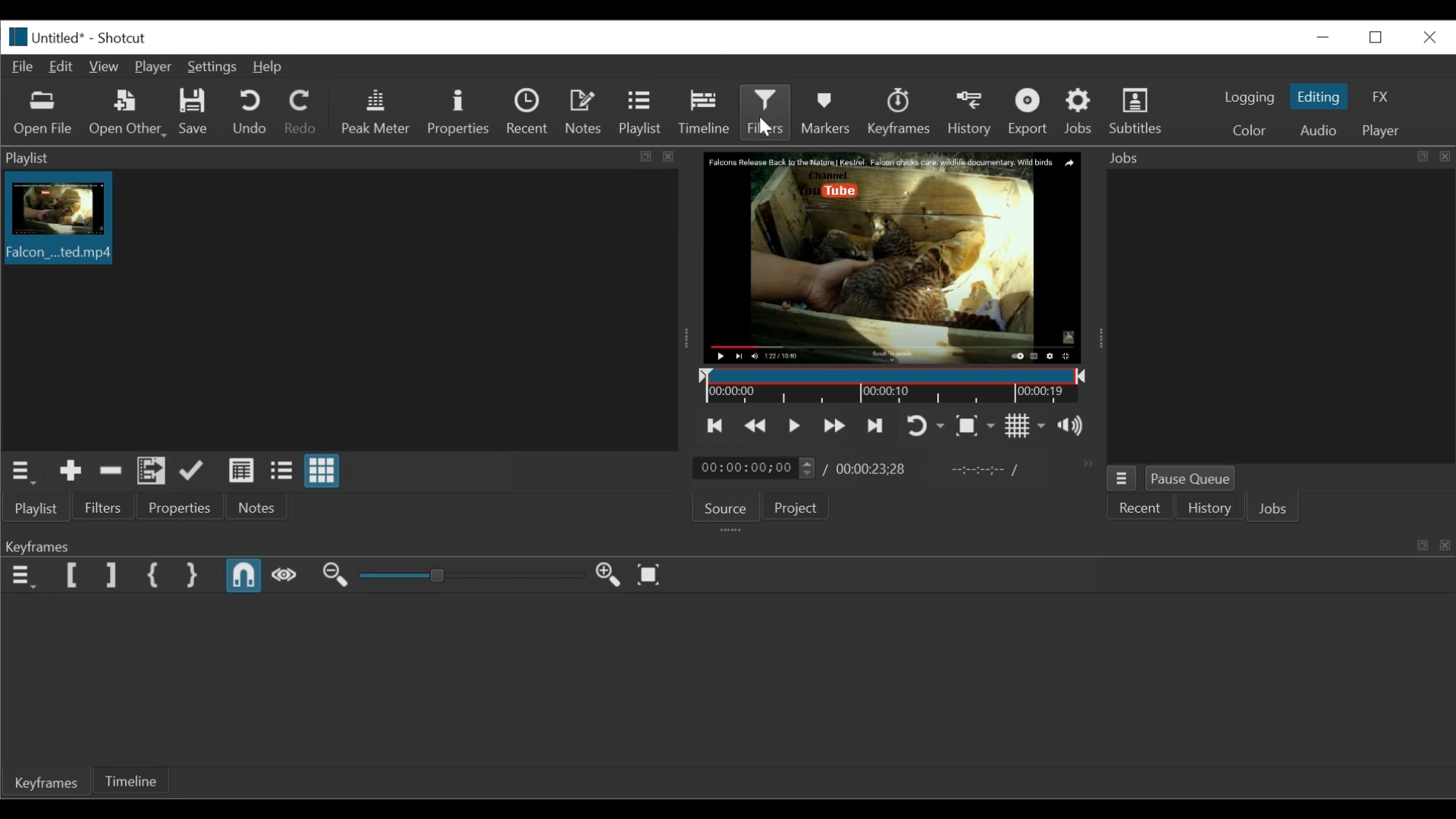  I want to click on Jobs Menu, so click(1123, 479).